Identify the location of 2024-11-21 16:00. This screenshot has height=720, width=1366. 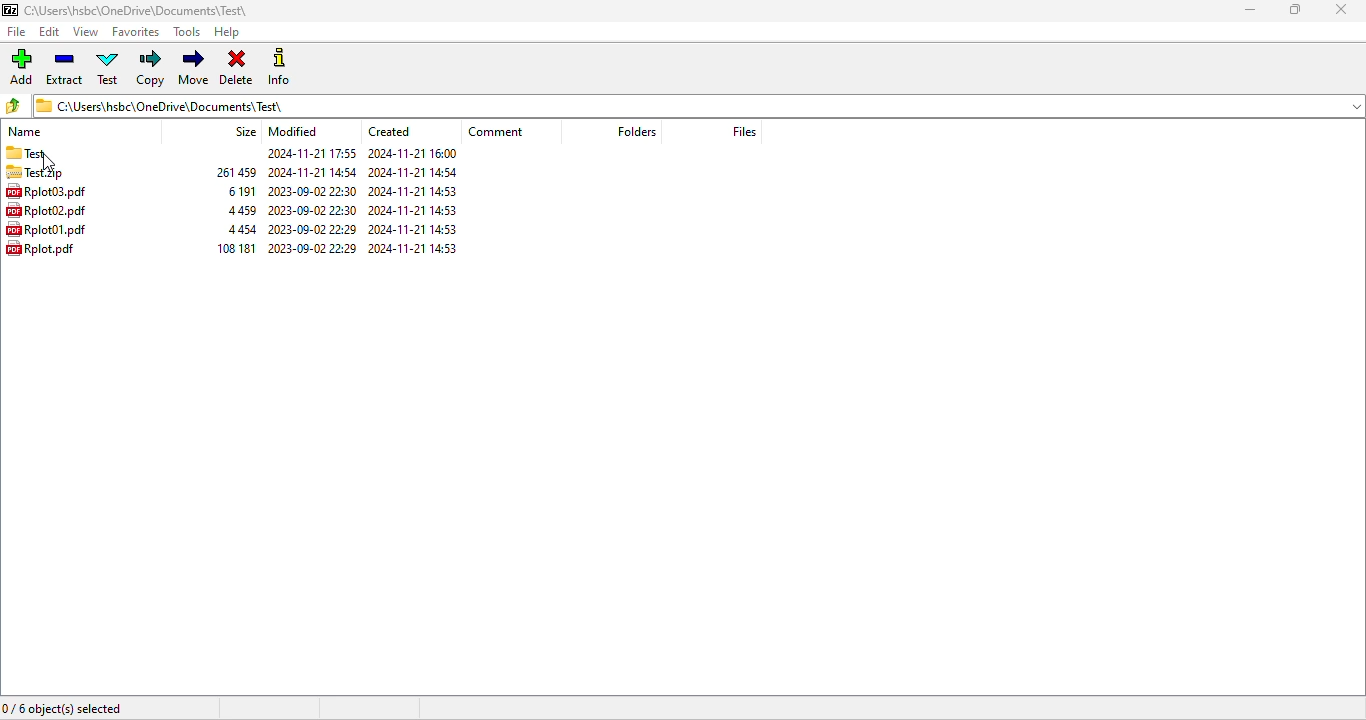
(415, 154).